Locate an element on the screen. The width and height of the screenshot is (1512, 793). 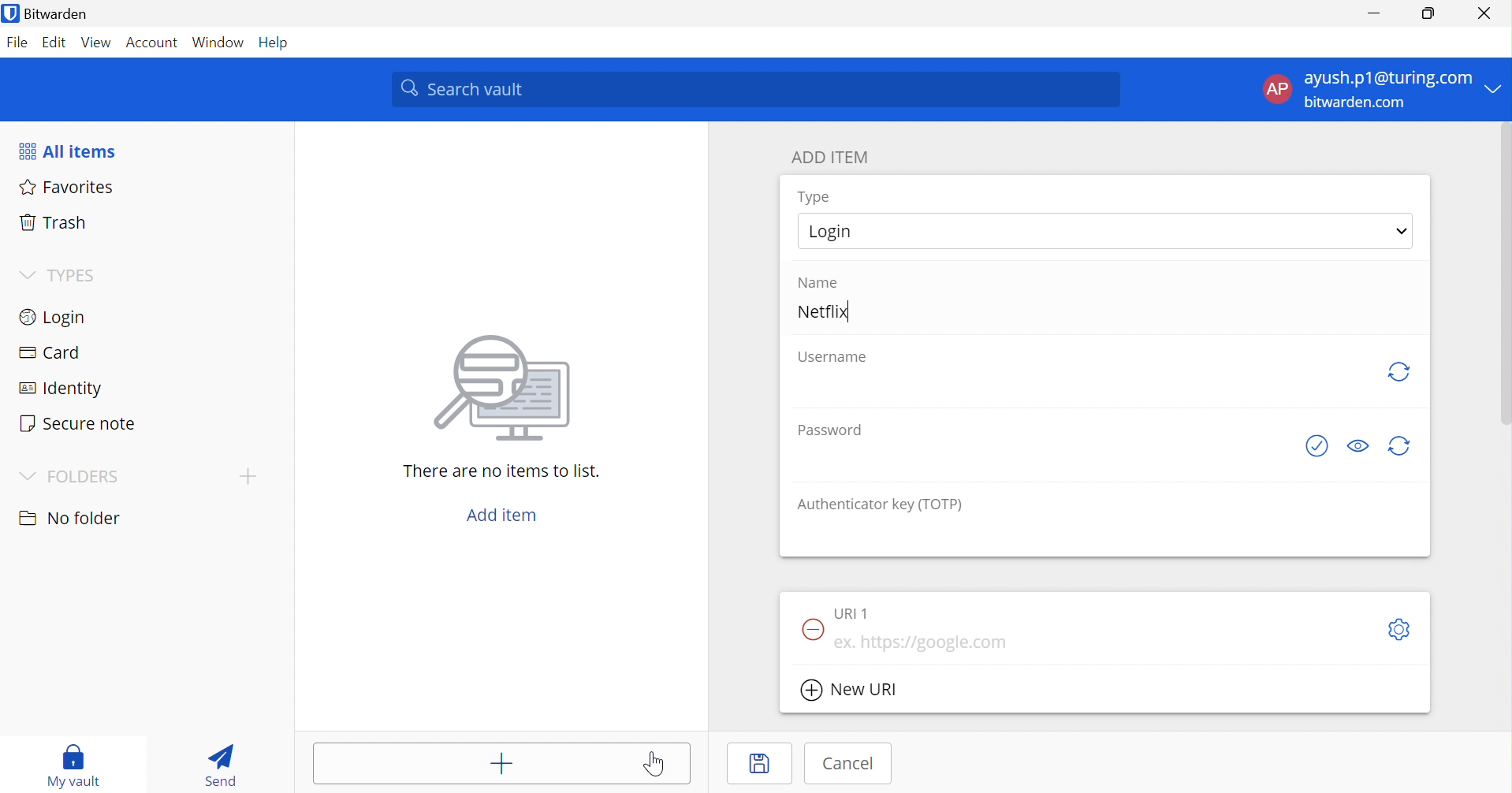
Add item is located at coordinates (505, 515).